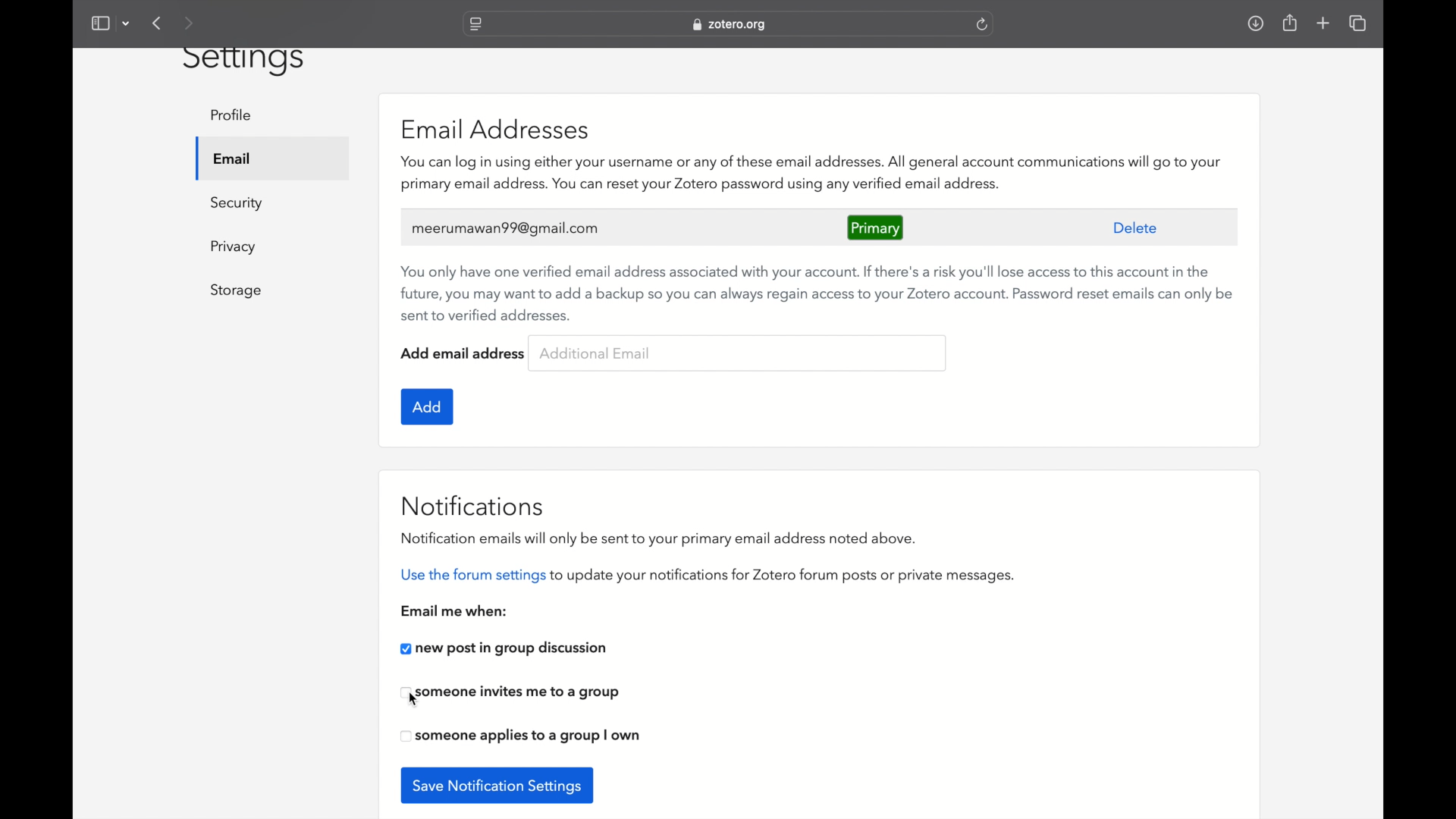 The height and width of the screenshot is (819, 1456). I want to click on website address, so click(731, 25).